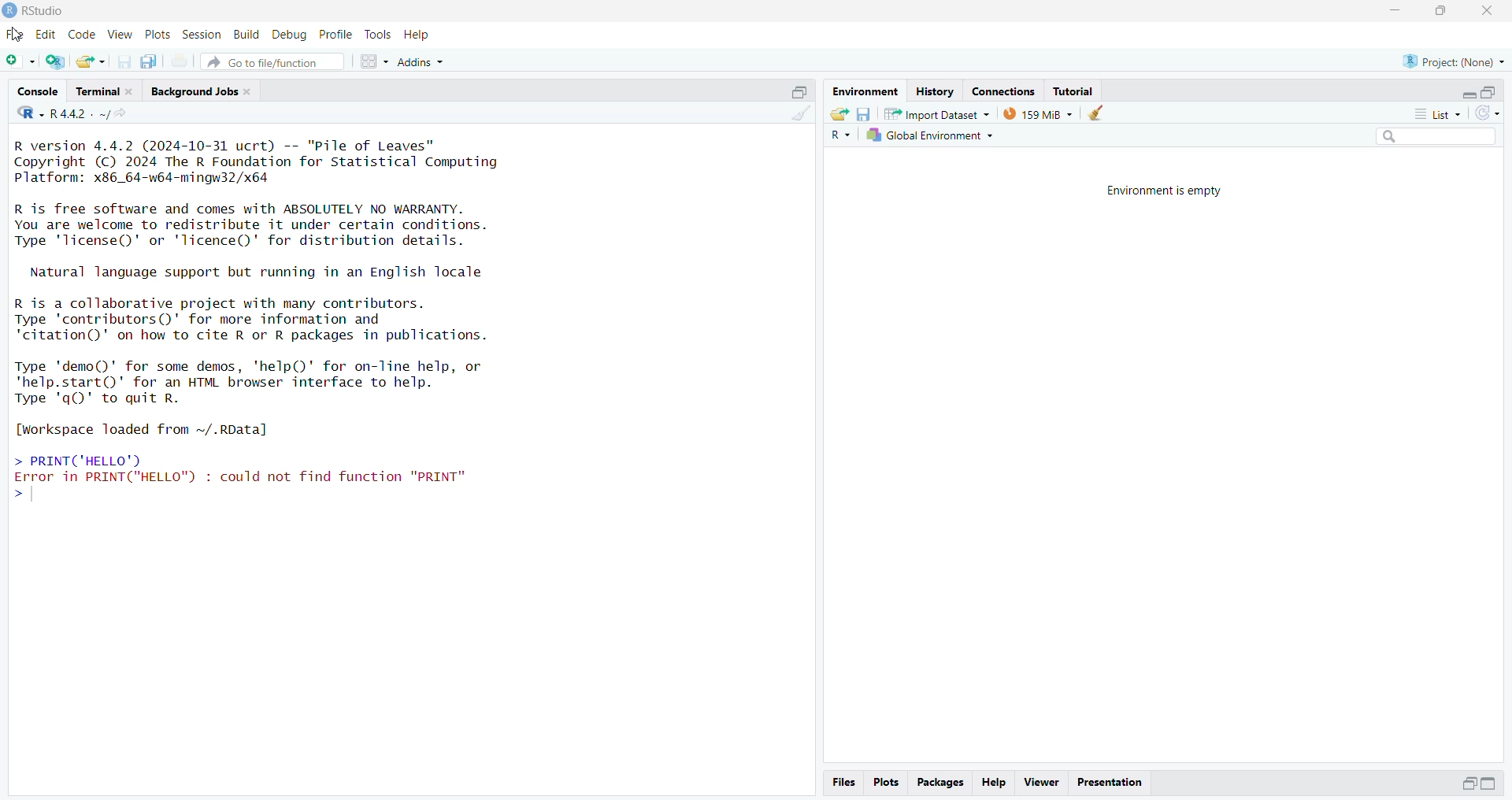  What do you see at coordinates (928, 136) in the screenshot?
I see `global environment` at bounding box center [928, 136].